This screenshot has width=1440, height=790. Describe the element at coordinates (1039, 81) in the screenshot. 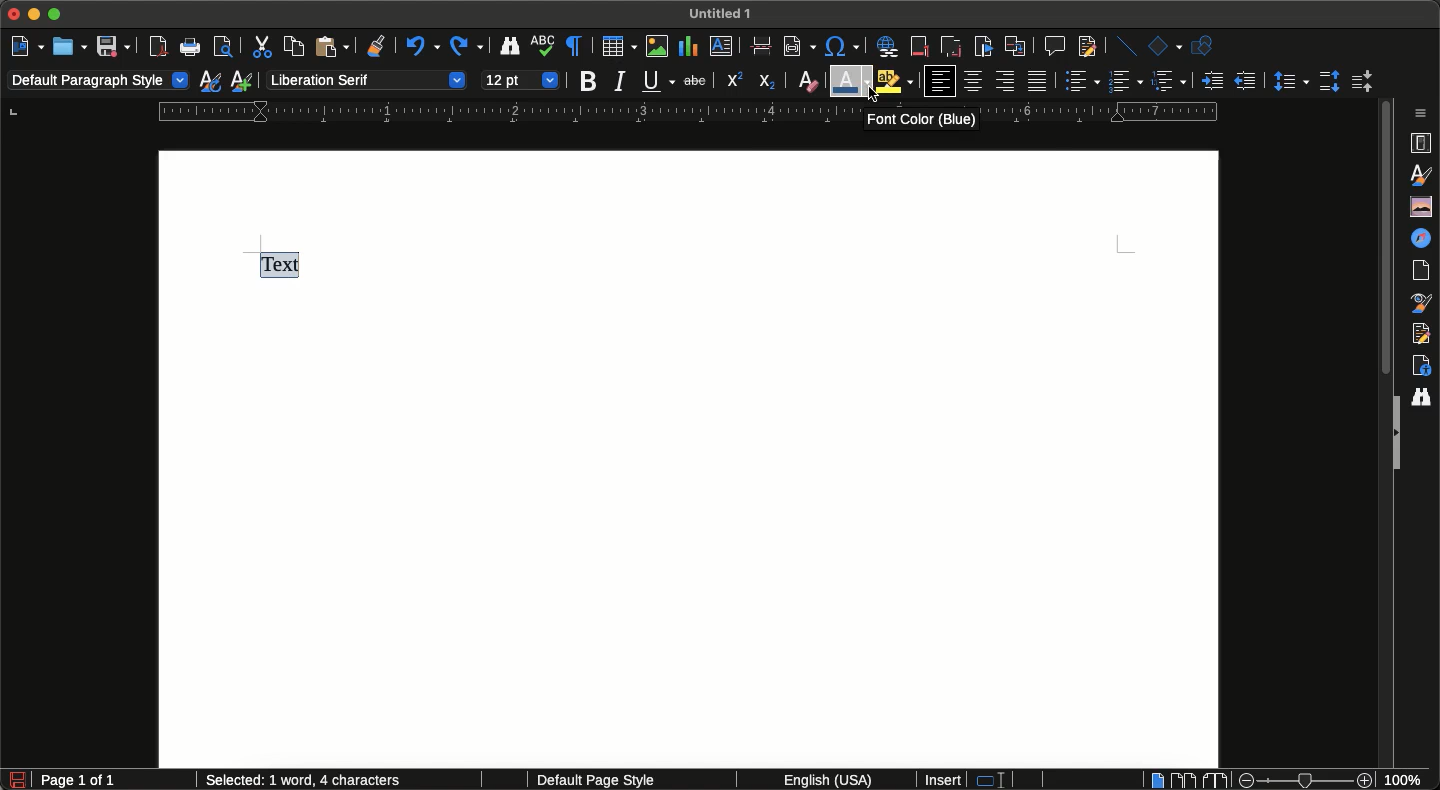

I see `Justified` at that location.